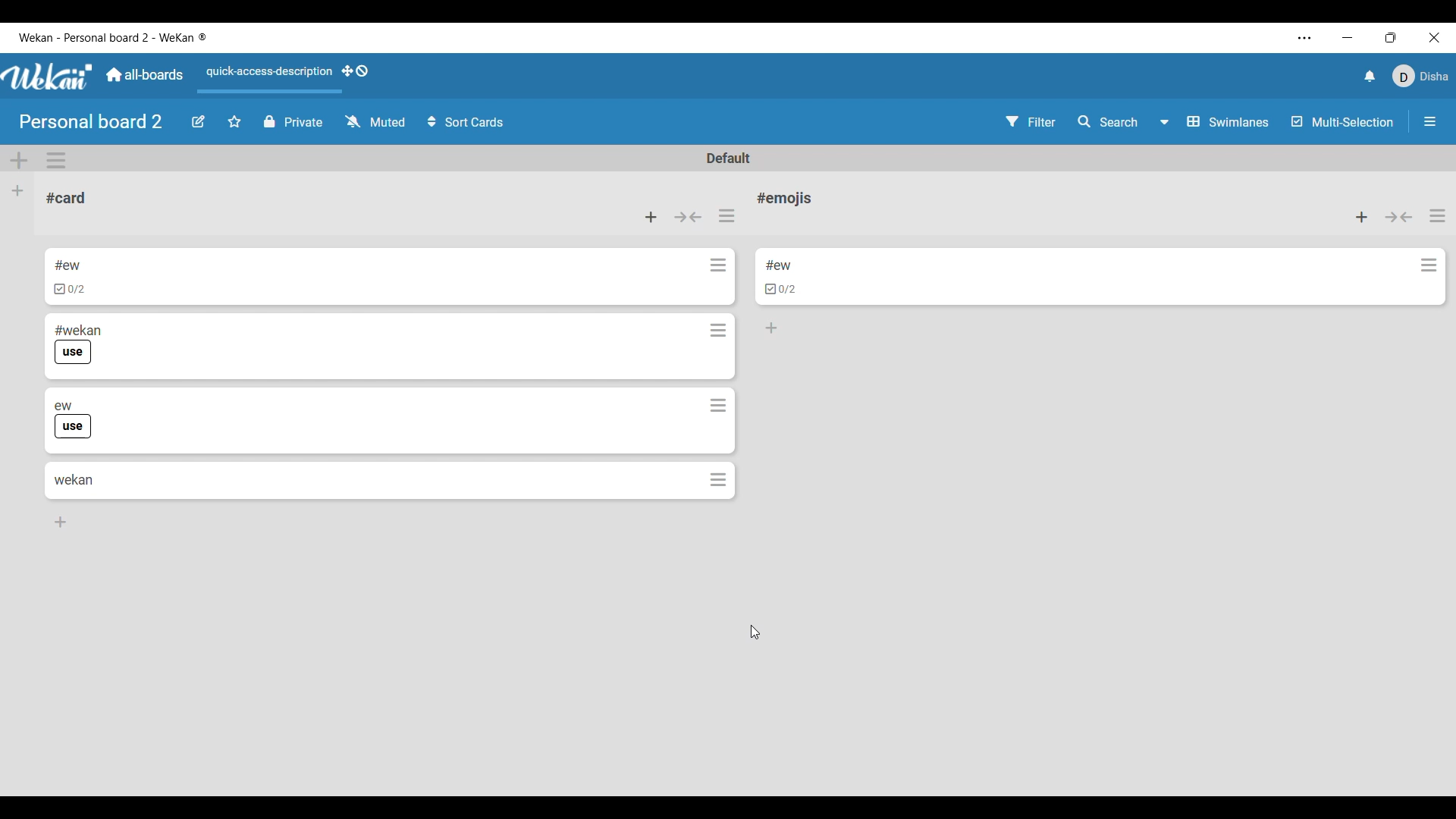  Describe the element at coordinates (74, 353) in the screenshot. I see `Indicates use of label in card` at that location.